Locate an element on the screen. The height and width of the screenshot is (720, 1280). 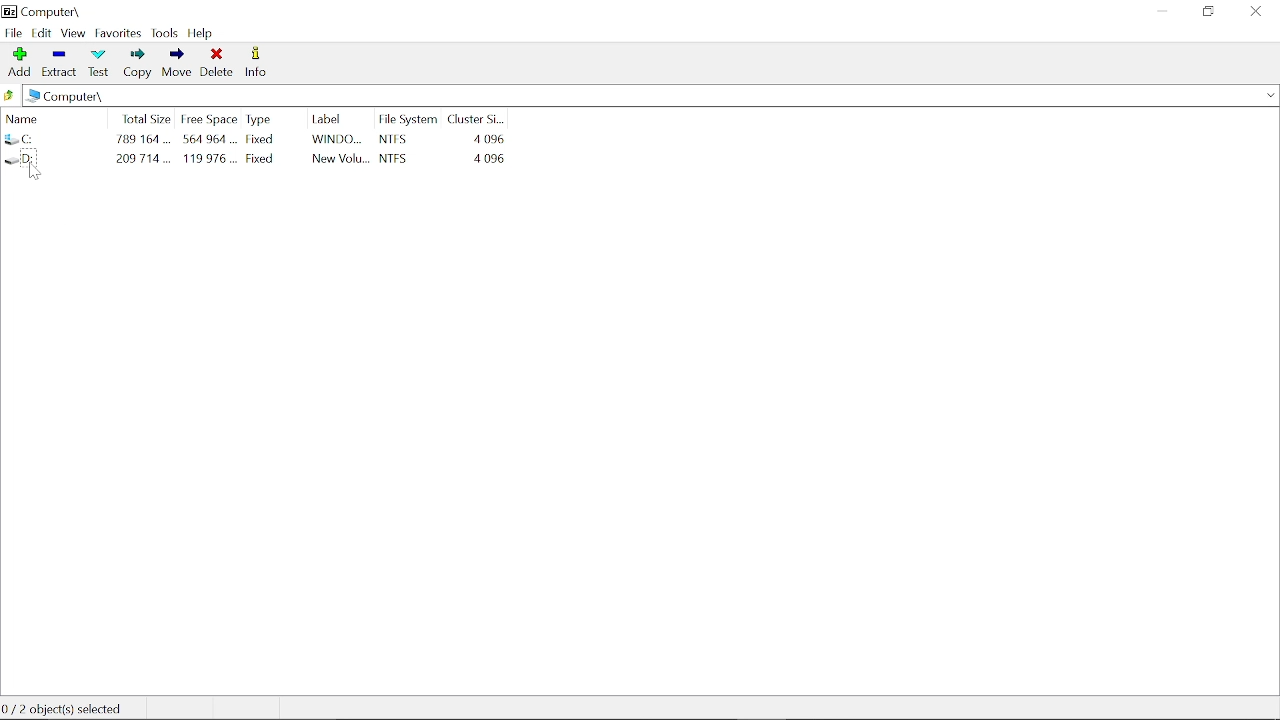
7 zip logo is located at coordinates (8, 10).